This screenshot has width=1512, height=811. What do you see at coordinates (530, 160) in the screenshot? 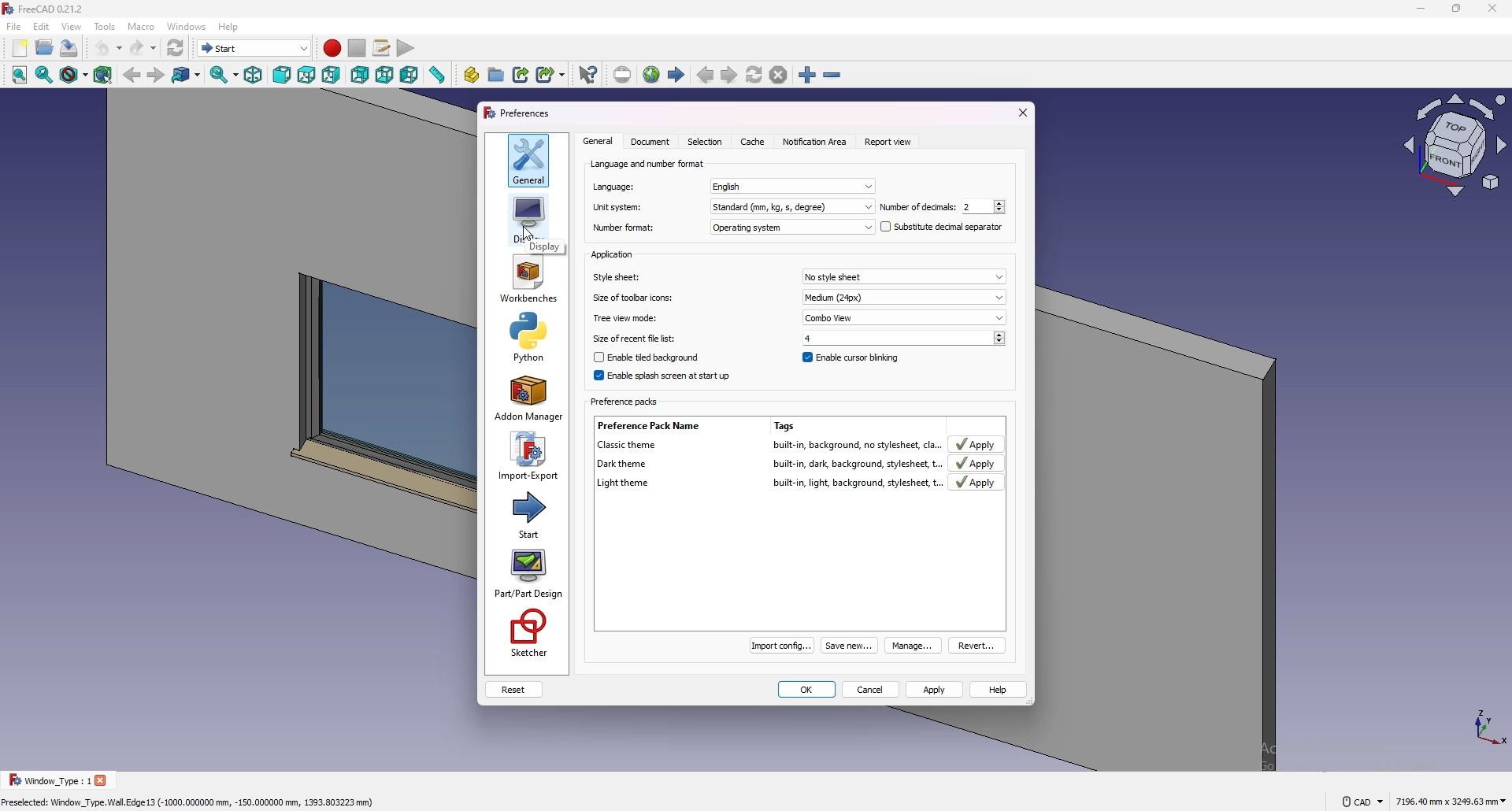
I see `general` at bounding box center [530, 160].